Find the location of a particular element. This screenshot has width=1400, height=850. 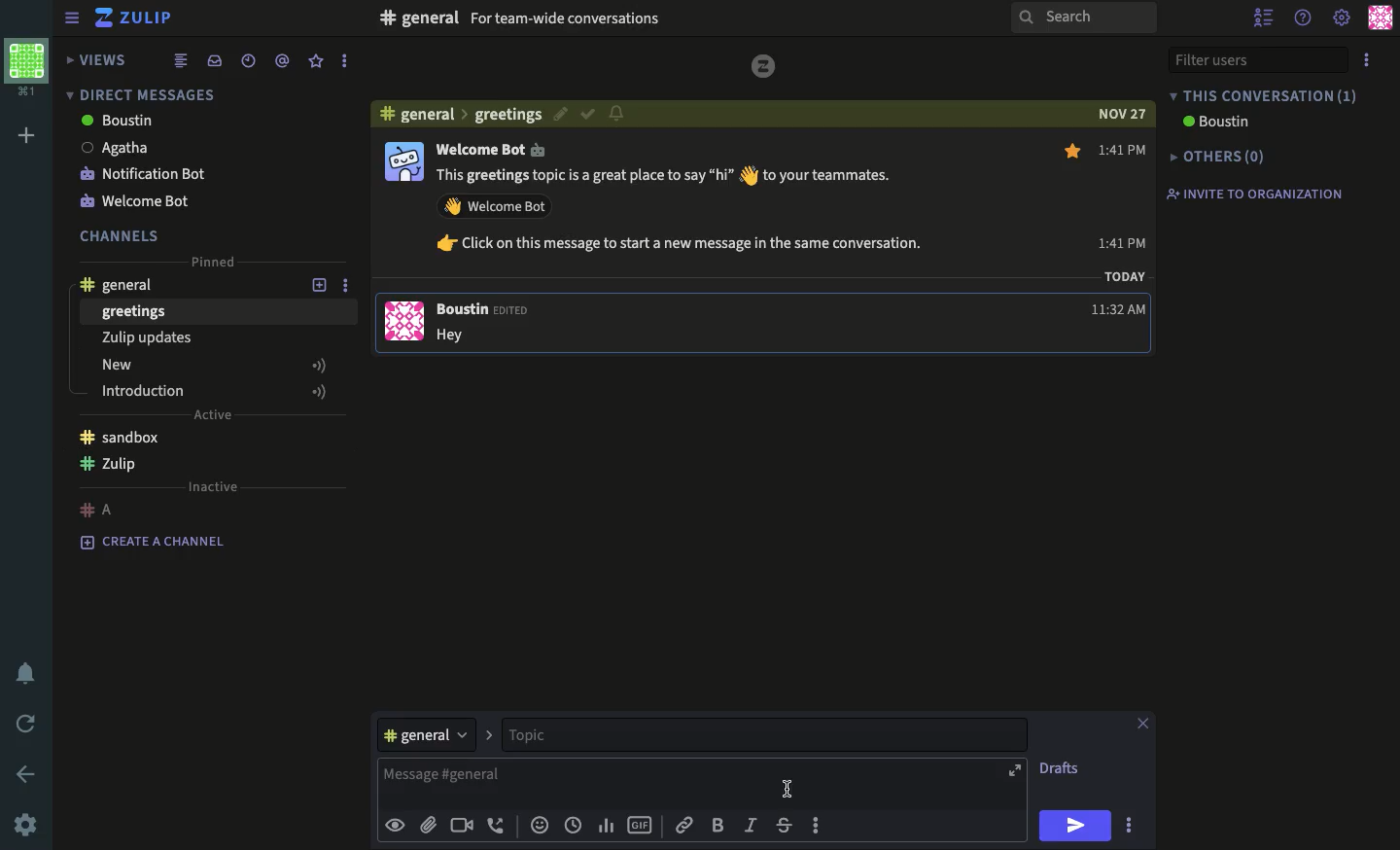

11:32 AM is located at coordinates (1121, 310).